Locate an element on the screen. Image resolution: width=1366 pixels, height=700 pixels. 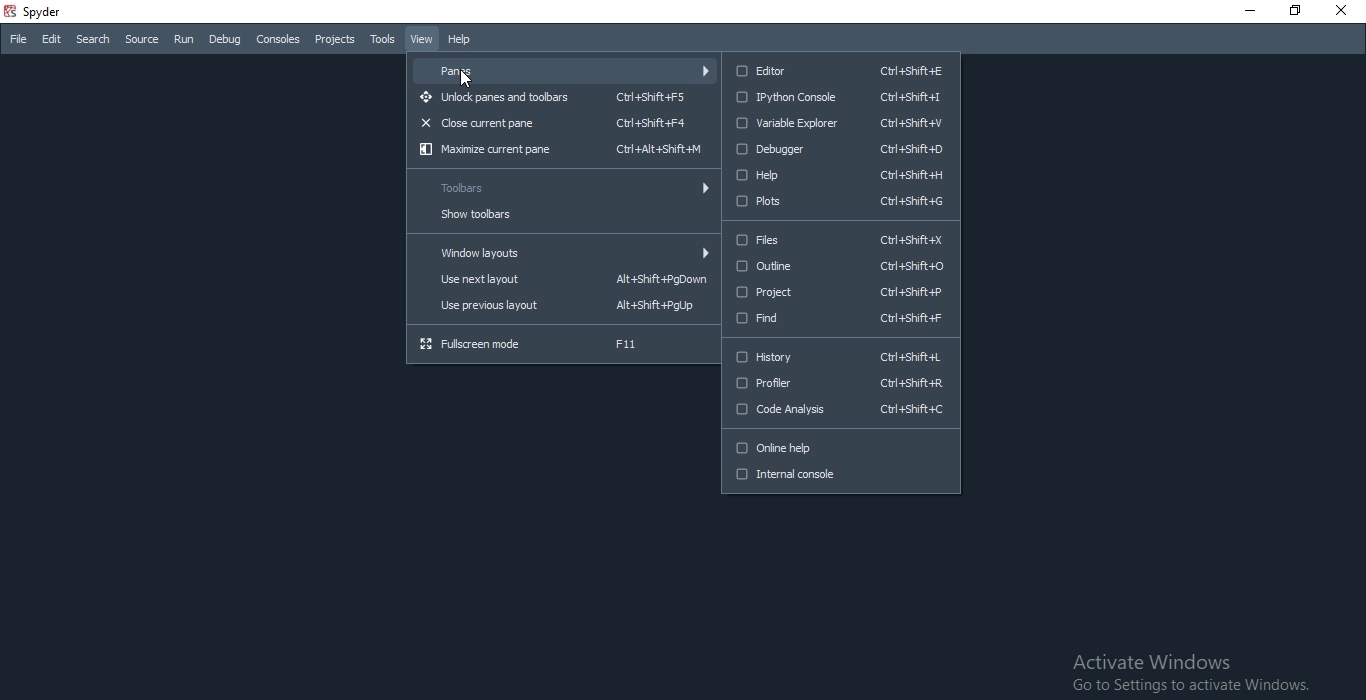
Unlock panes and toolbars is located at coordinates (563, 98).